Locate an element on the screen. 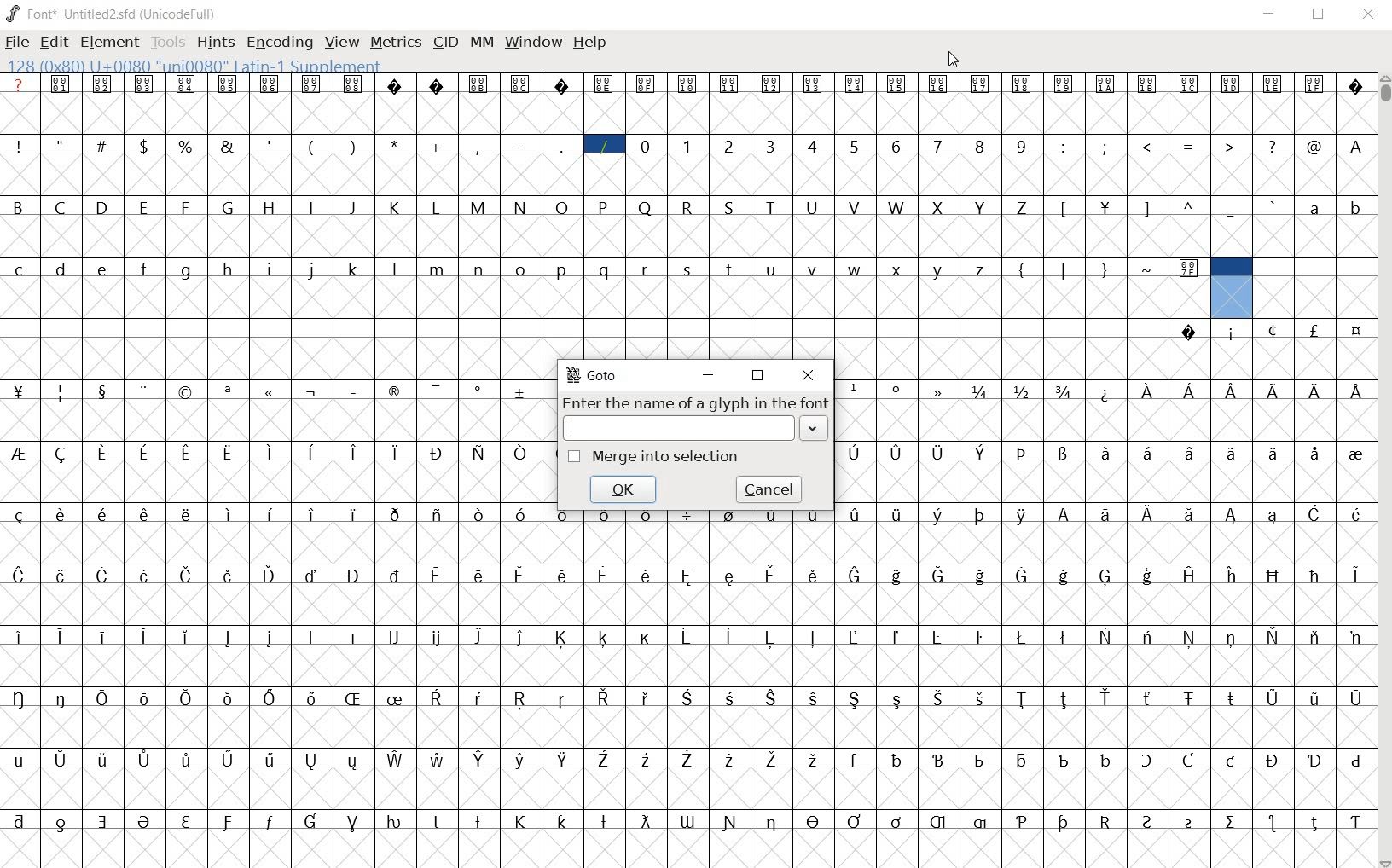 This screenshot has height=868, width=1392. ` is located at coordinates (1273, 205).